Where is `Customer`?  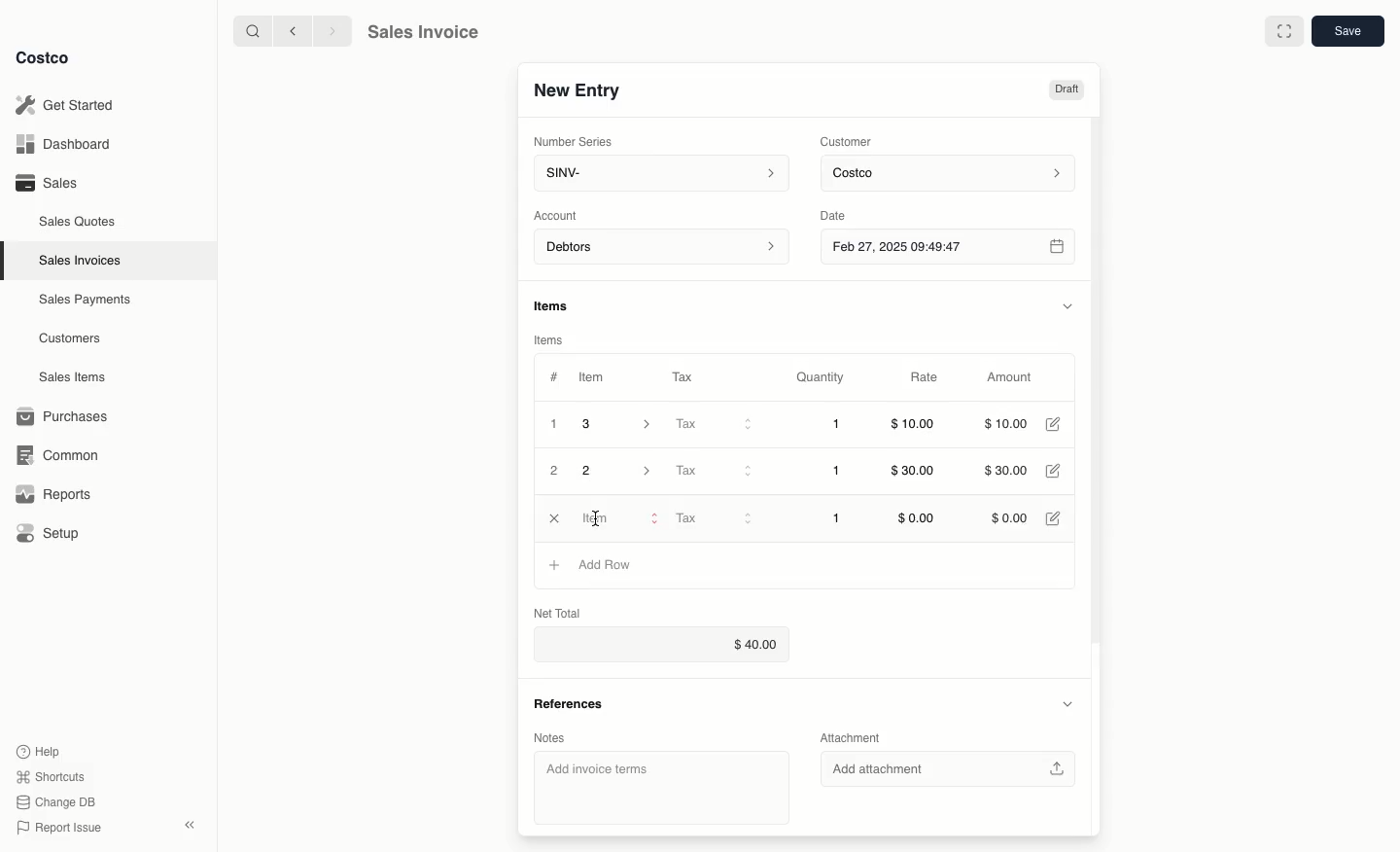
Customer is located at coordinates (847, 140).